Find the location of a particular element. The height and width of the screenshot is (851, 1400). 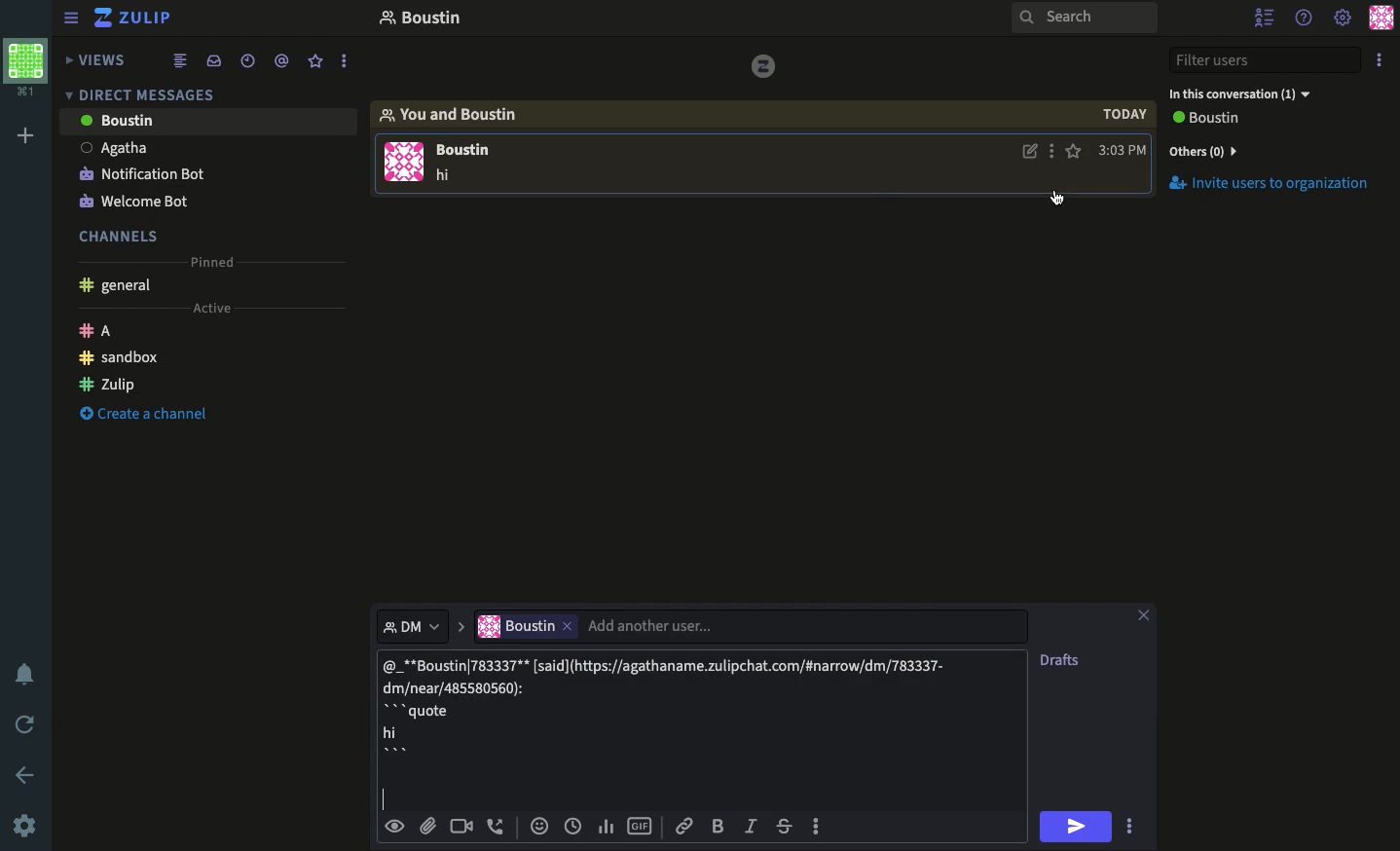

DM is located at coordinates (145, 93).